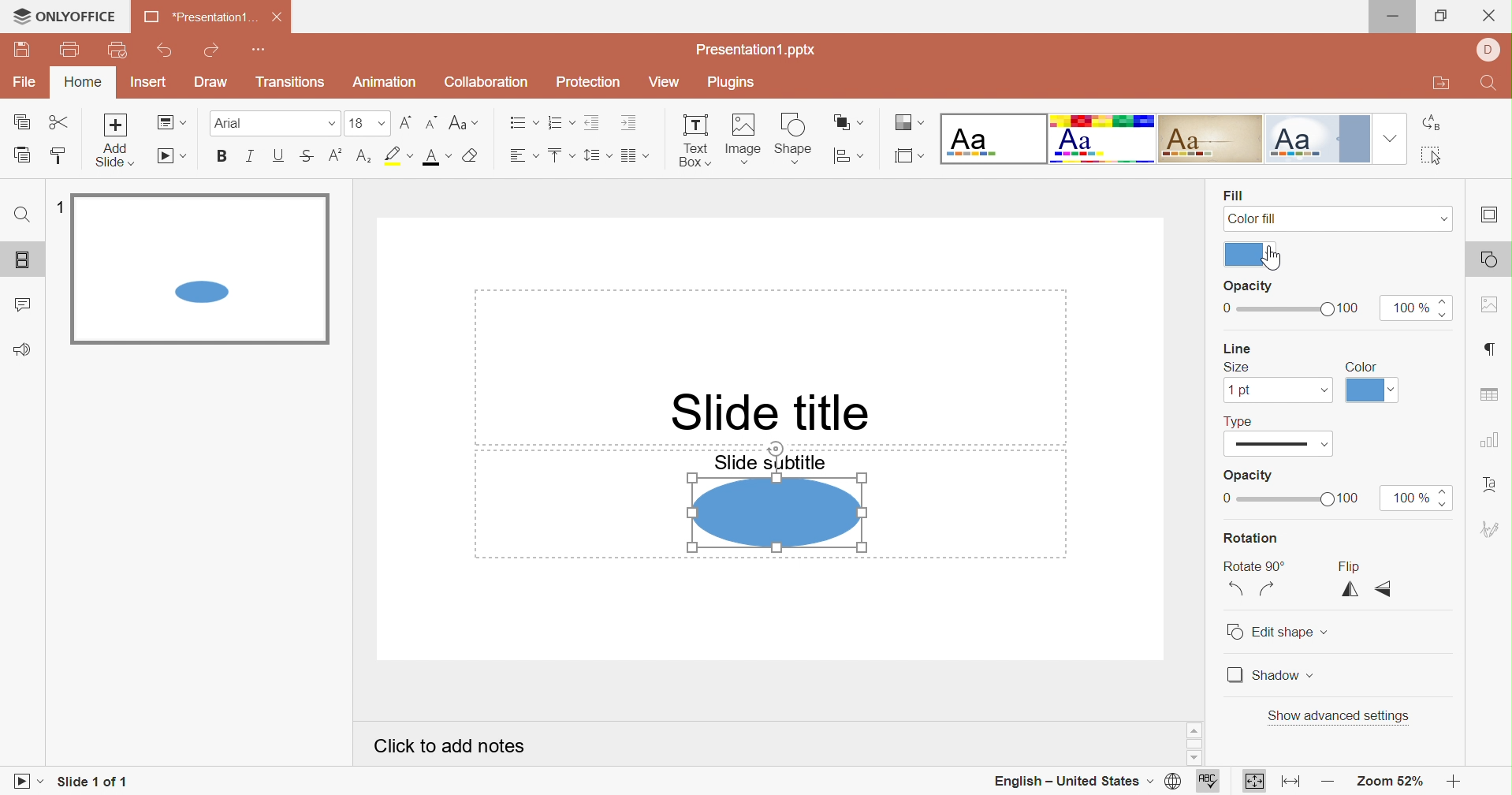 Image resolution: width=1512 pixels, height=795 pixels. Describe the element at coordinates (1321, 140) in the screenshot. I see `Official` at that location.